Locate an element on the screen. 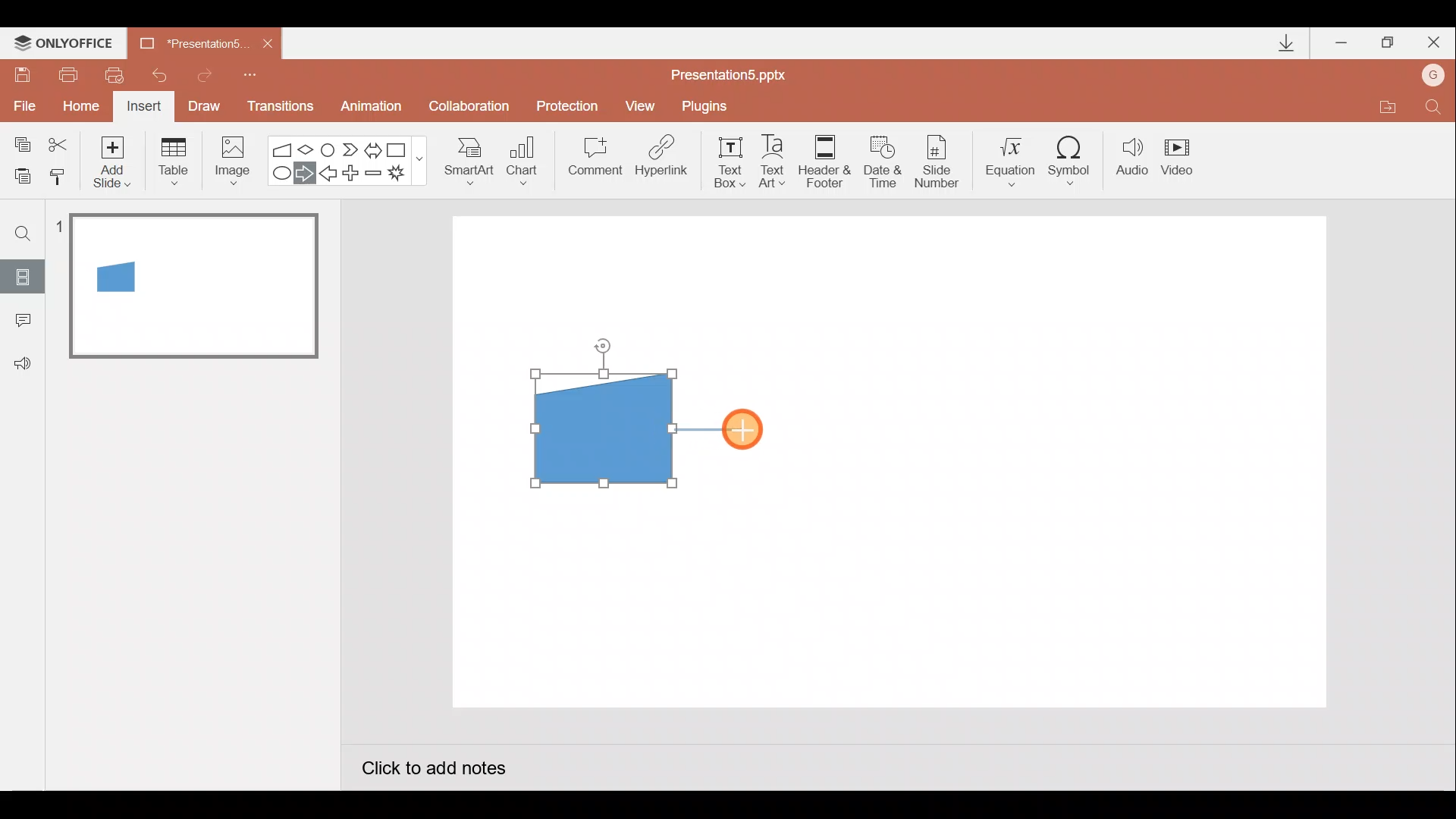  Video is located at coordinates (1183, 158).